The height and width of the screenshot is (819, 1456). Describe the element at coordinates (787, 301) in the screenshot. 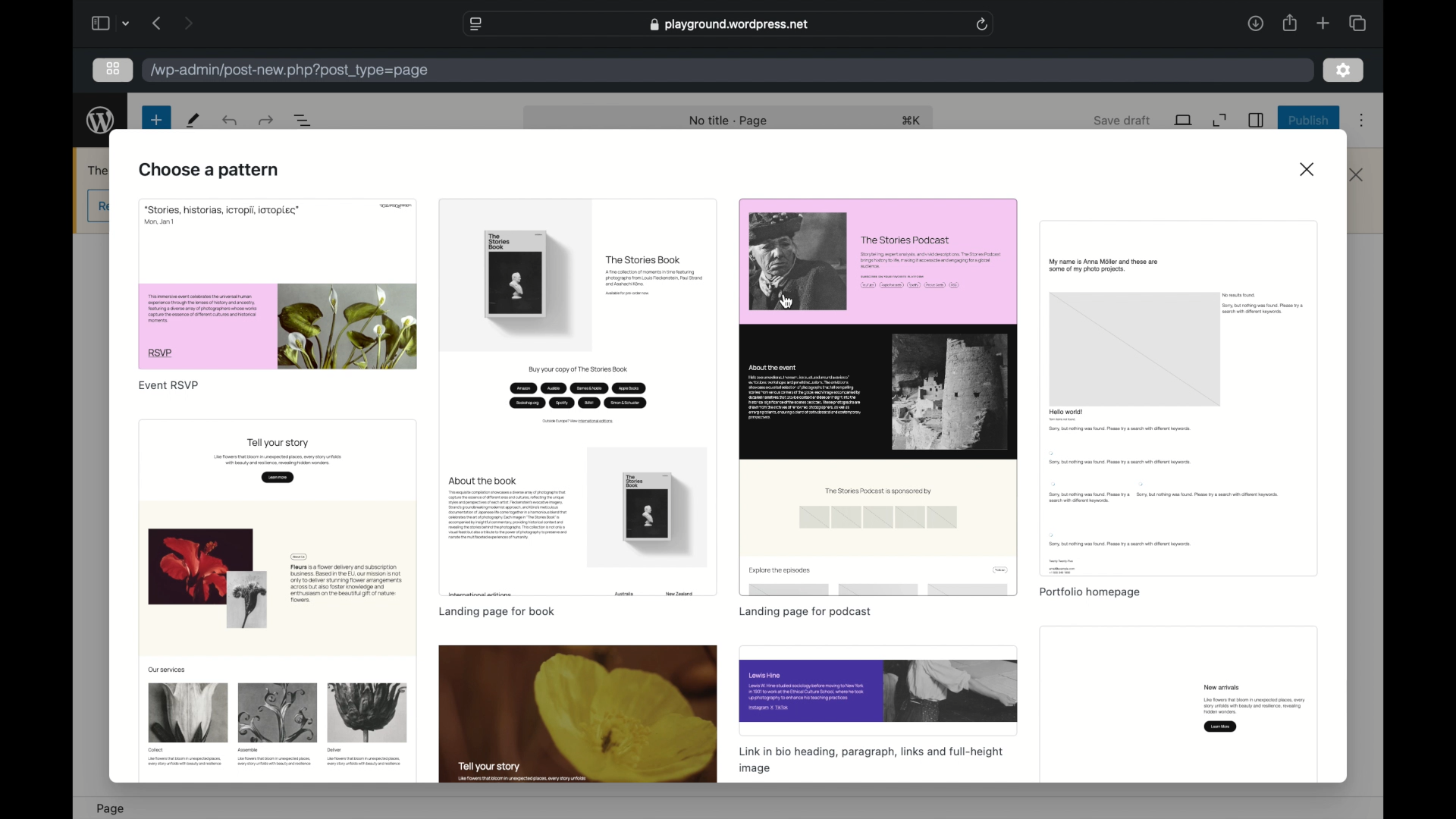

I see `cursor` at that location.